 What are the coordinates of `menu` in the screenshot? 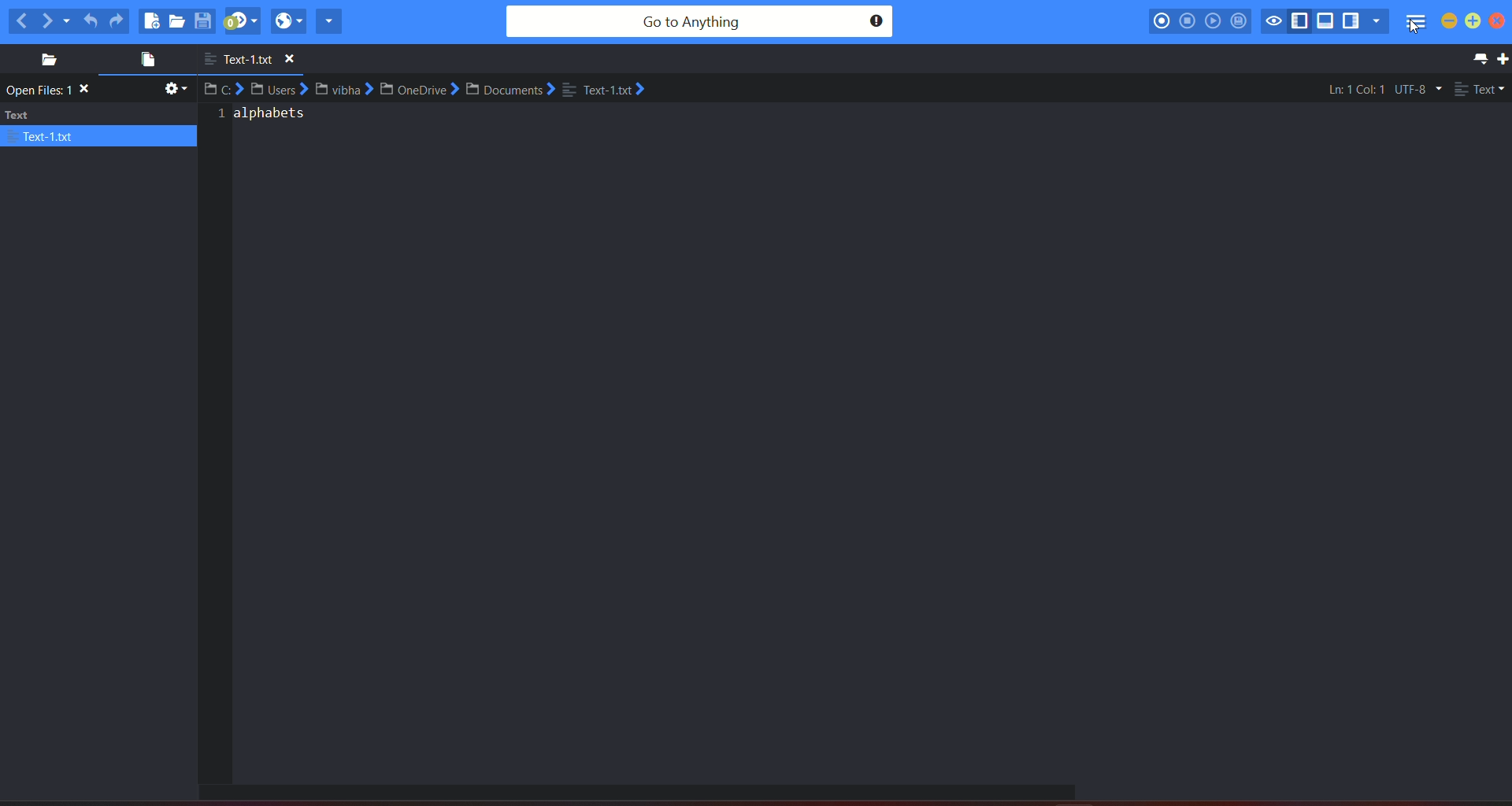 It's located at (1414, 24).